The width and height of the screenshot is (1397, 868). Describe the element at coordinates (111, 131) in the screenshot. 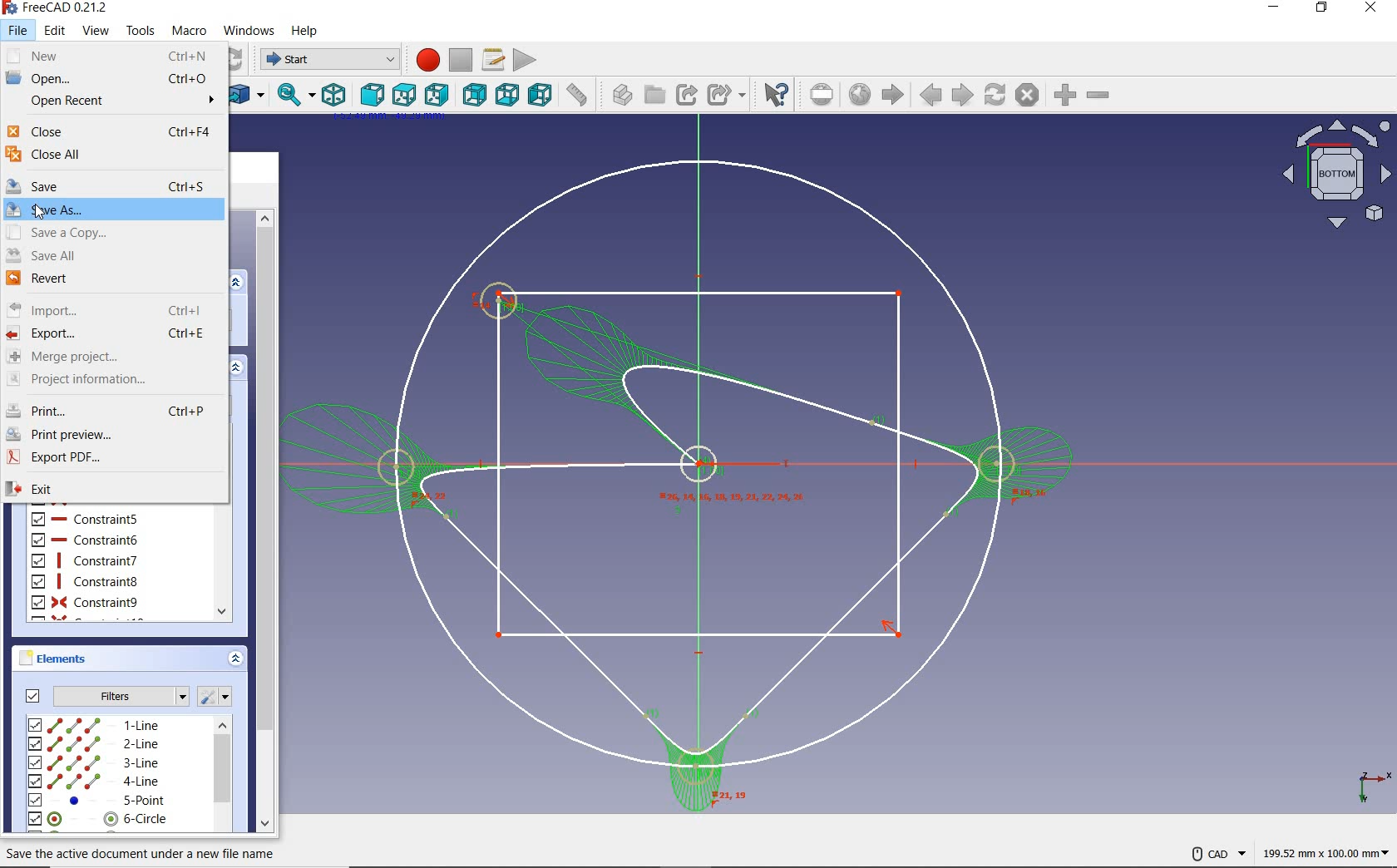

I see `close` at that location.